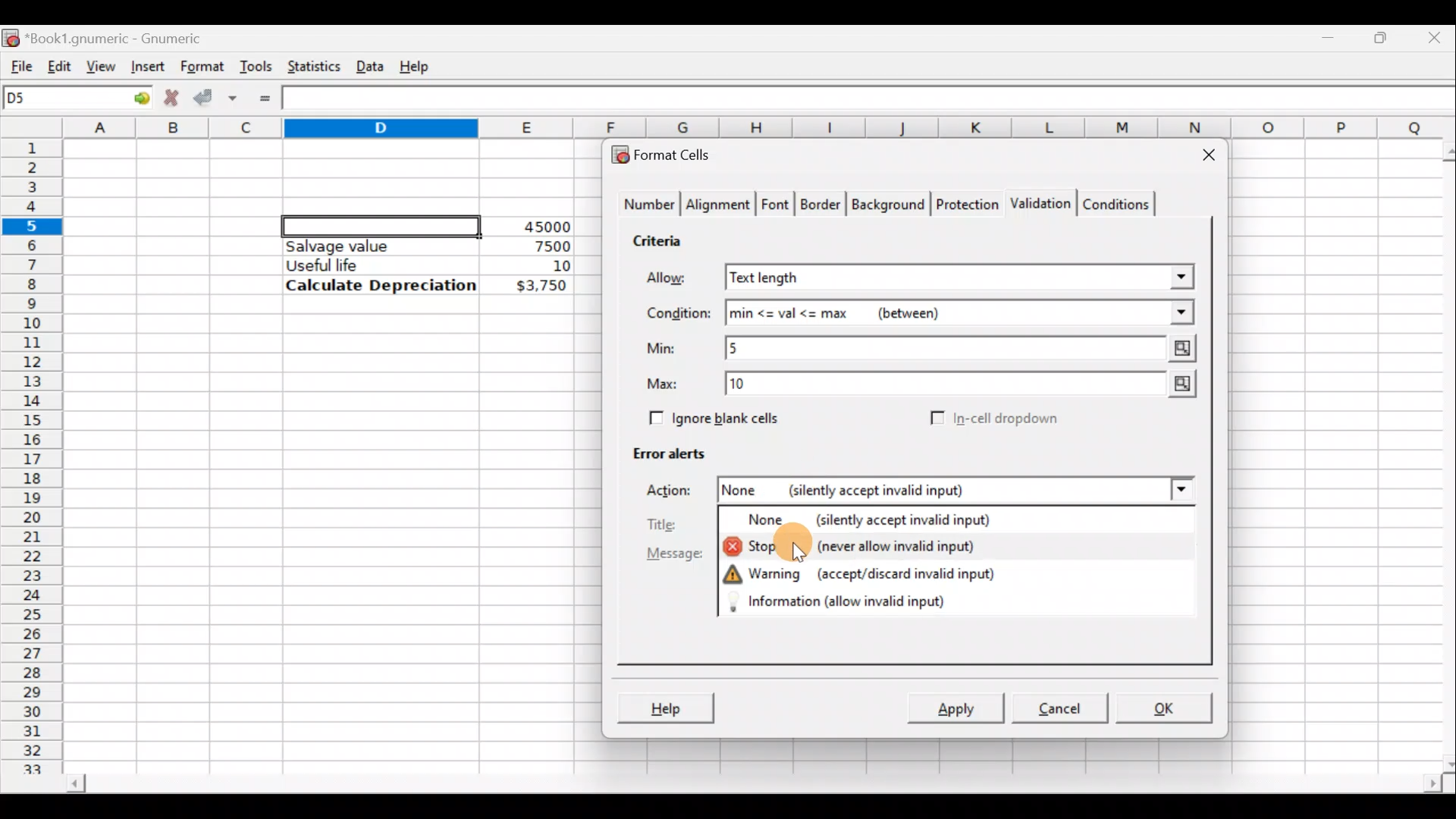 The height and width of the screenshot is (819, 1456). Describe the element at coordinates (59, 63) in the screenshot. I see `Edit` at that location.